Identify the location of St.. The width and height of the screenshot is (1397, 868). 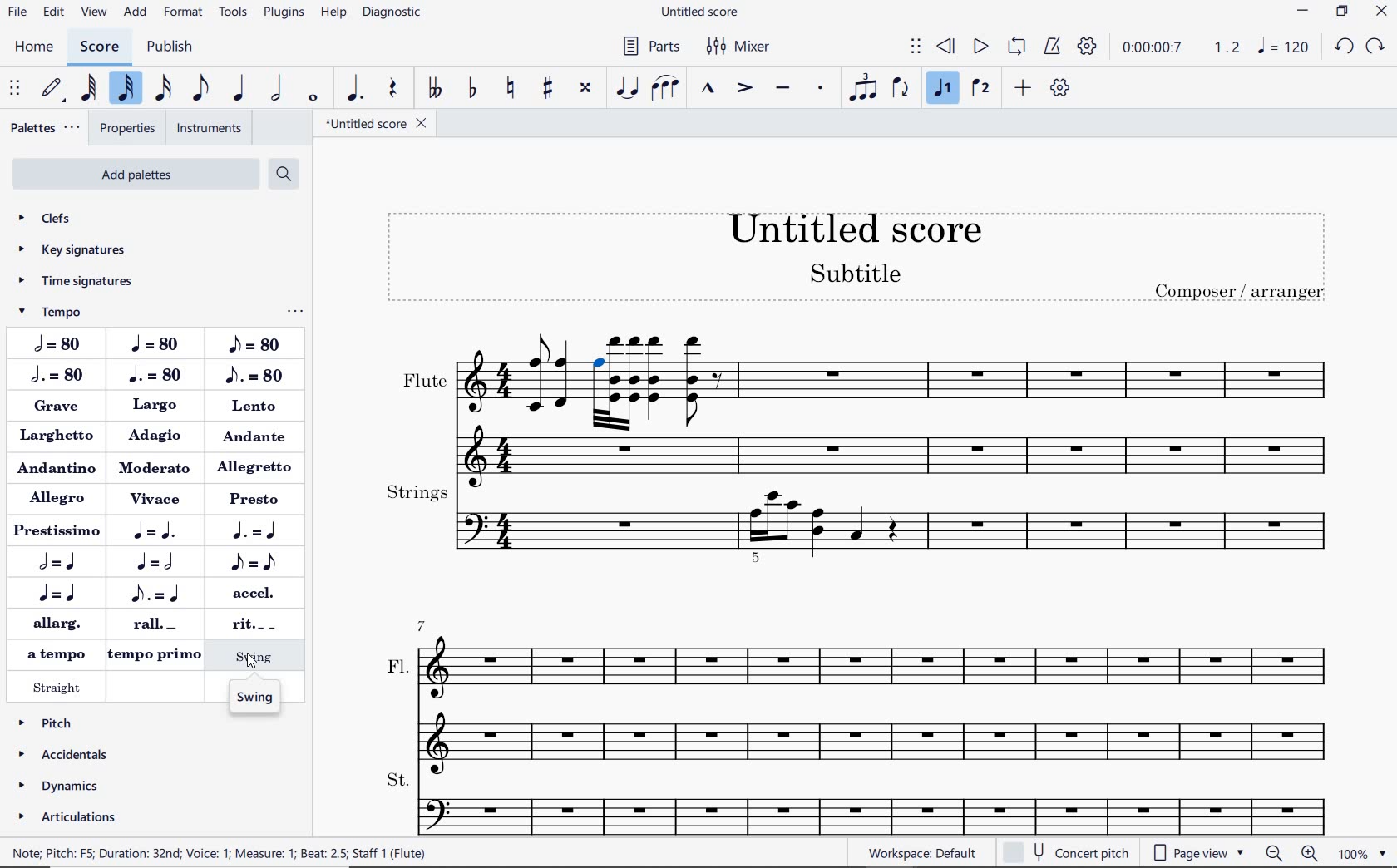
(873, 800).